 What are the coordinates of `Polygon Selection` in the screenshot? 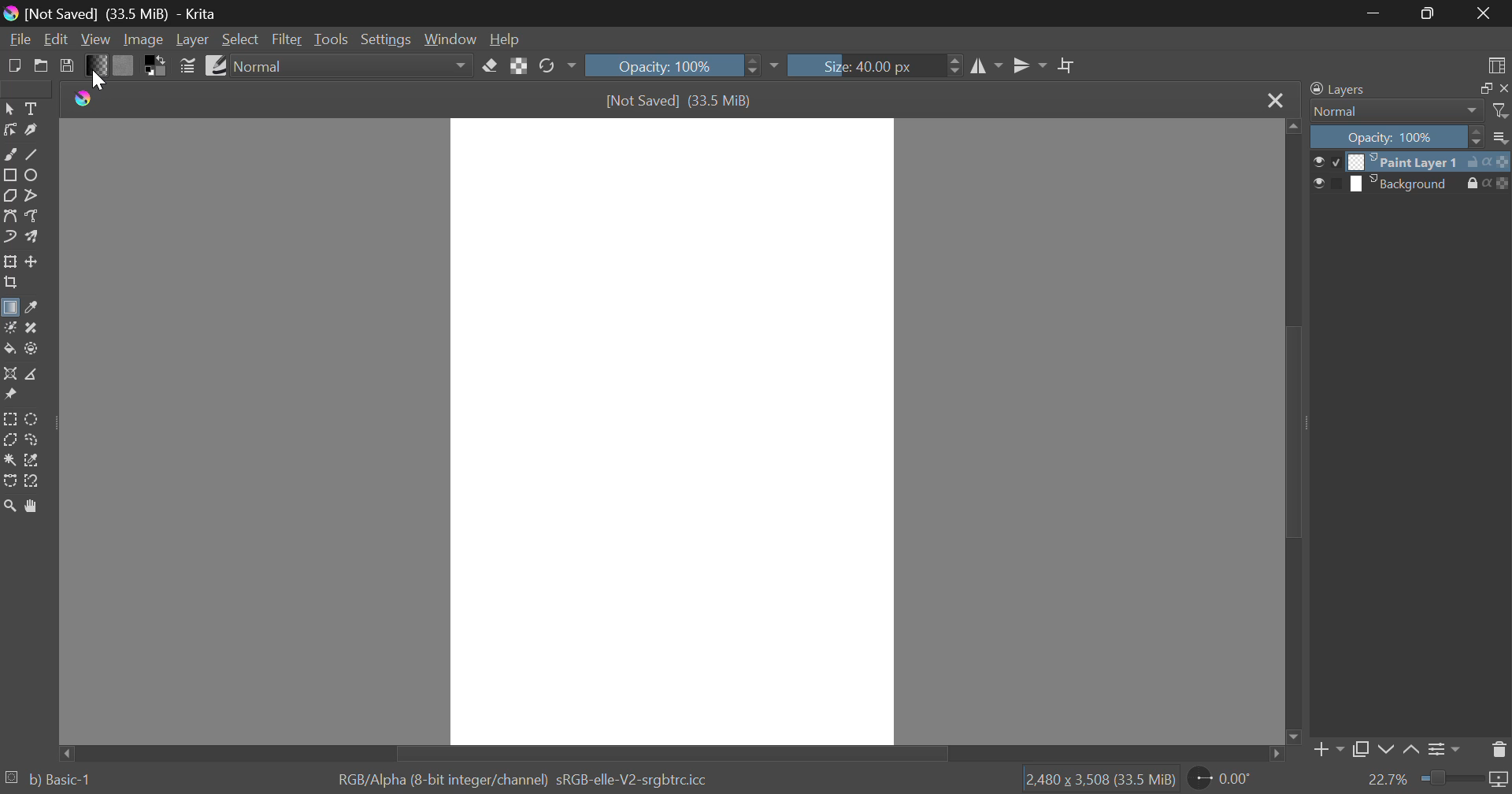 It's located at (9, 441).